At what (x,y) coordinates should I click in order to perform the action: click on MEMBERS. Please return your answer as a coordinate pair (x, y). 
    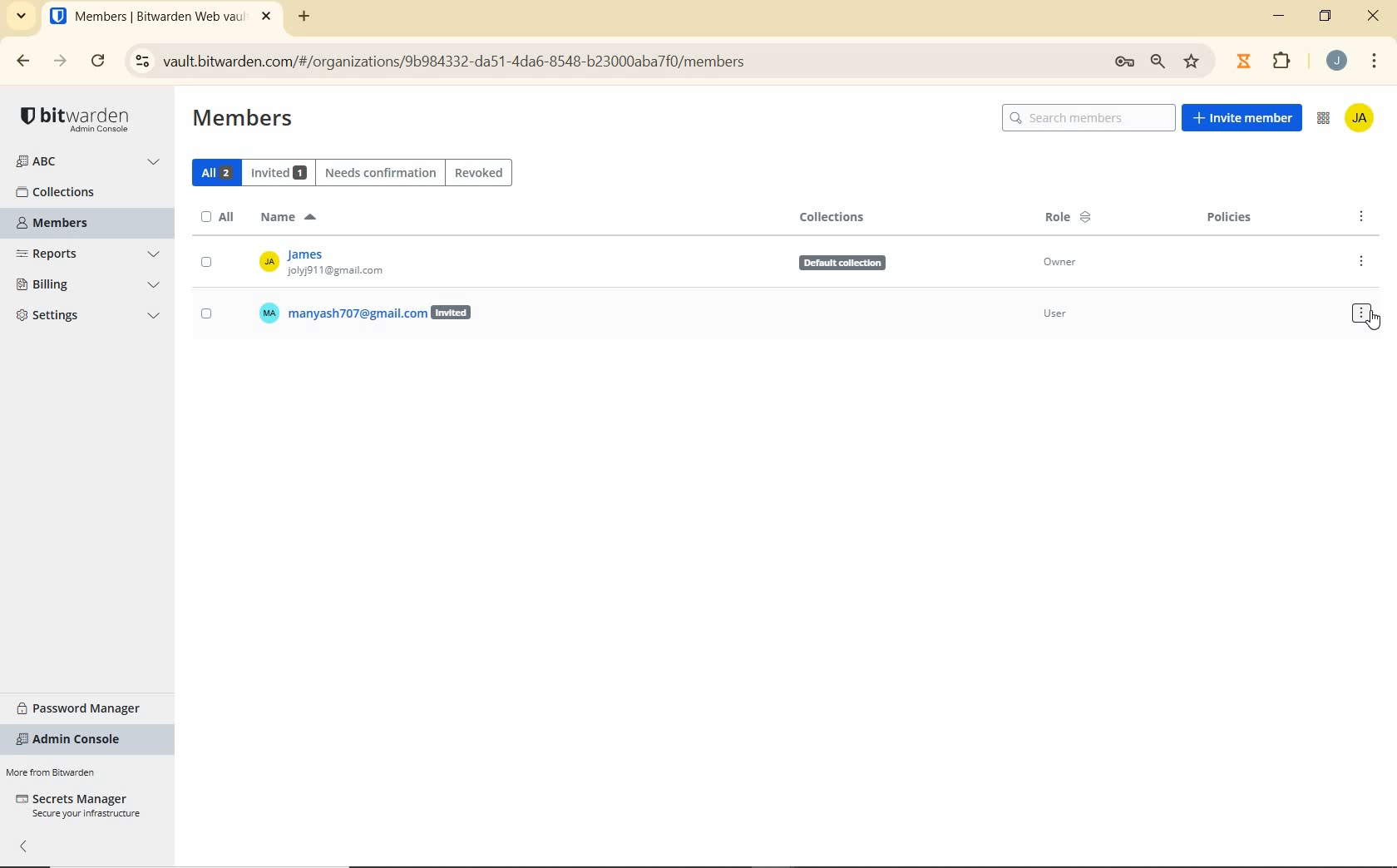
    Looking at the image, I should click on (67, 224).